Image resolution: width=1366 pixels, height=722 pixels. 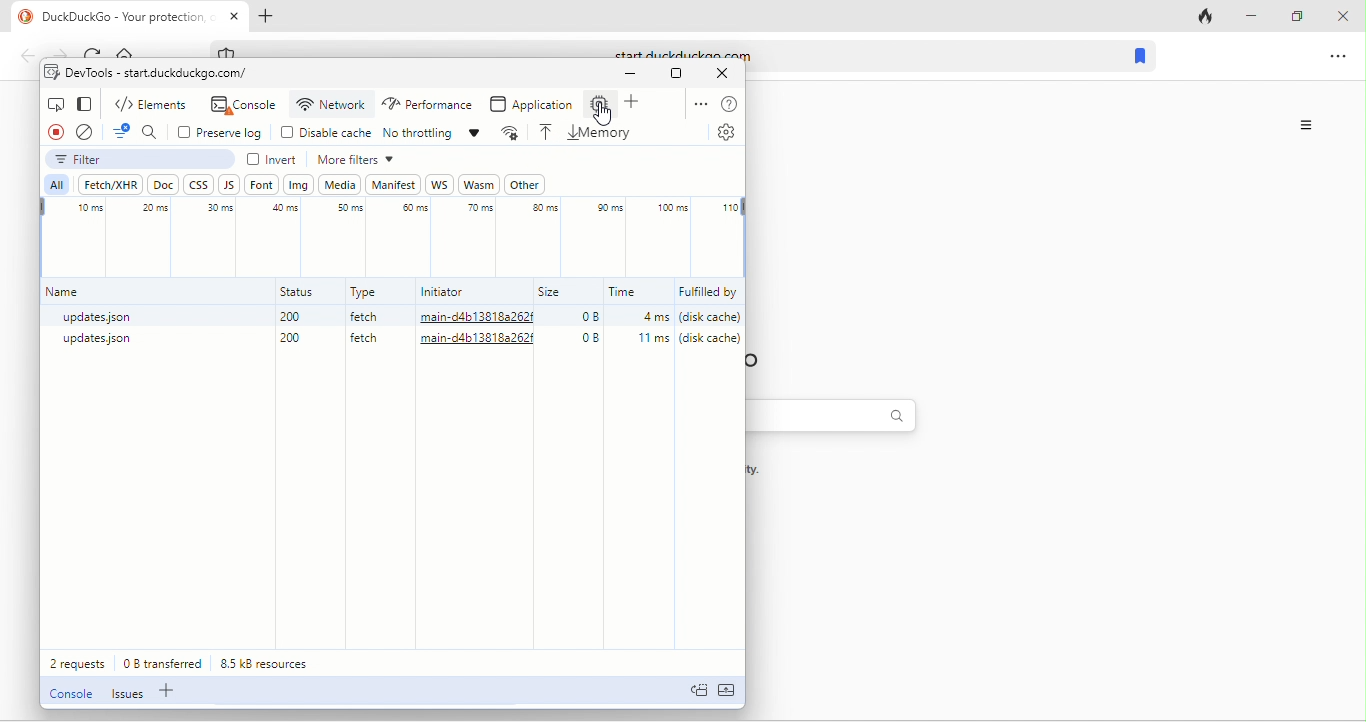 I want to click on font, so click(x=263, y=186).